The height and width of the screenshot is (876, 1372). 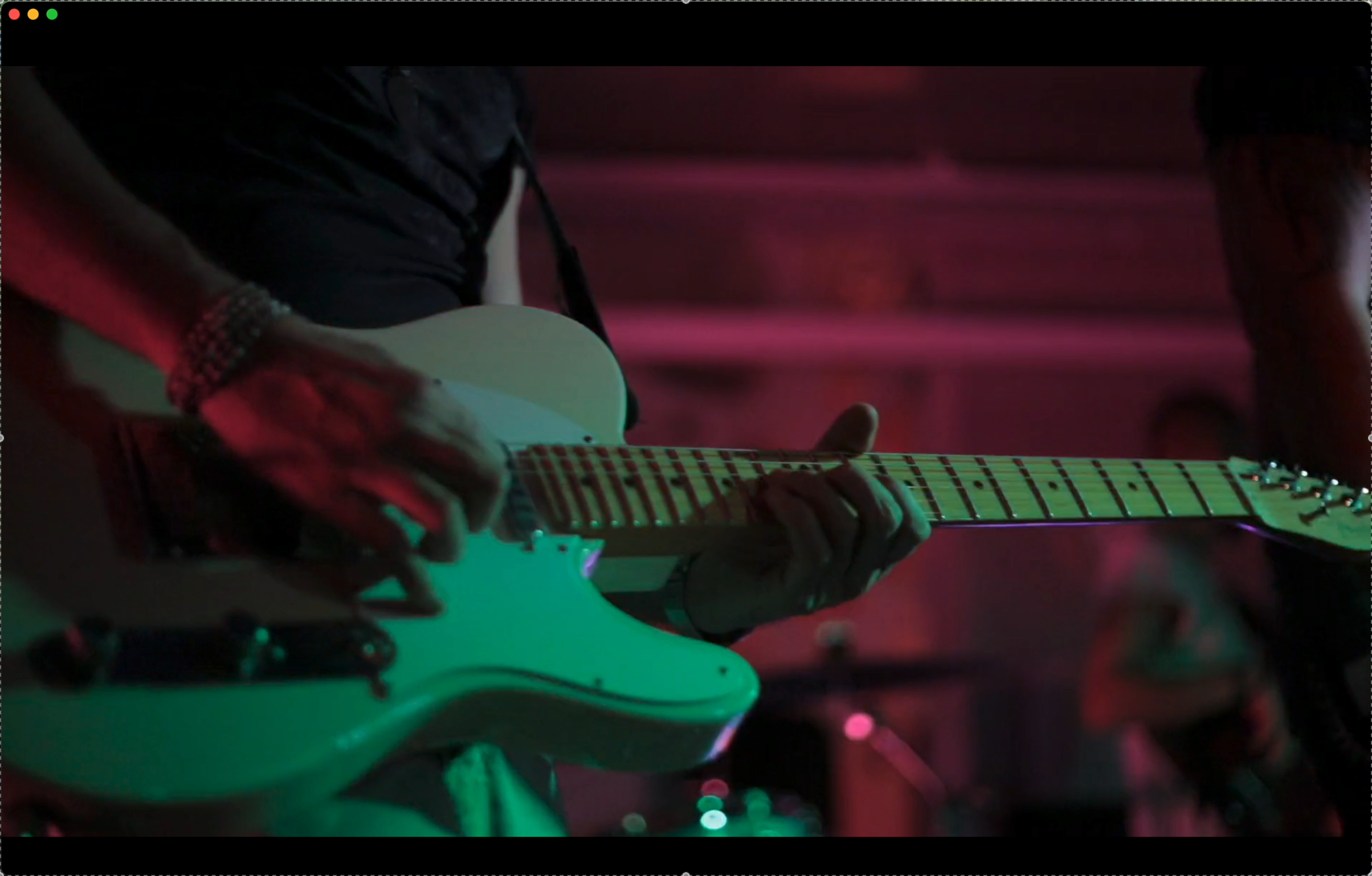 I want to click on close, so click(x=15, y=14).